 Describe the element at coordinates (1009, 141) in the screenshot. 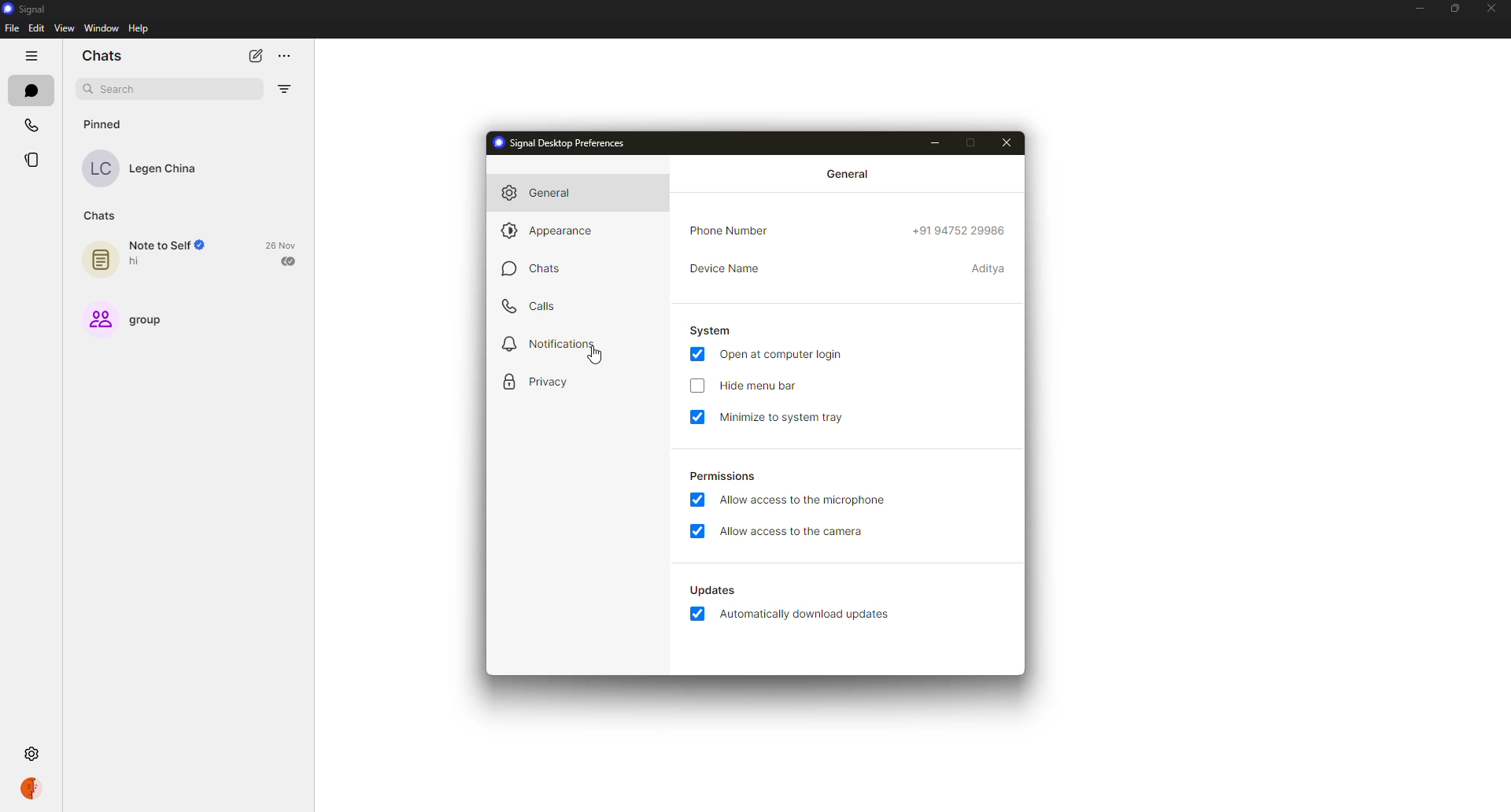

I see `close` at that location.